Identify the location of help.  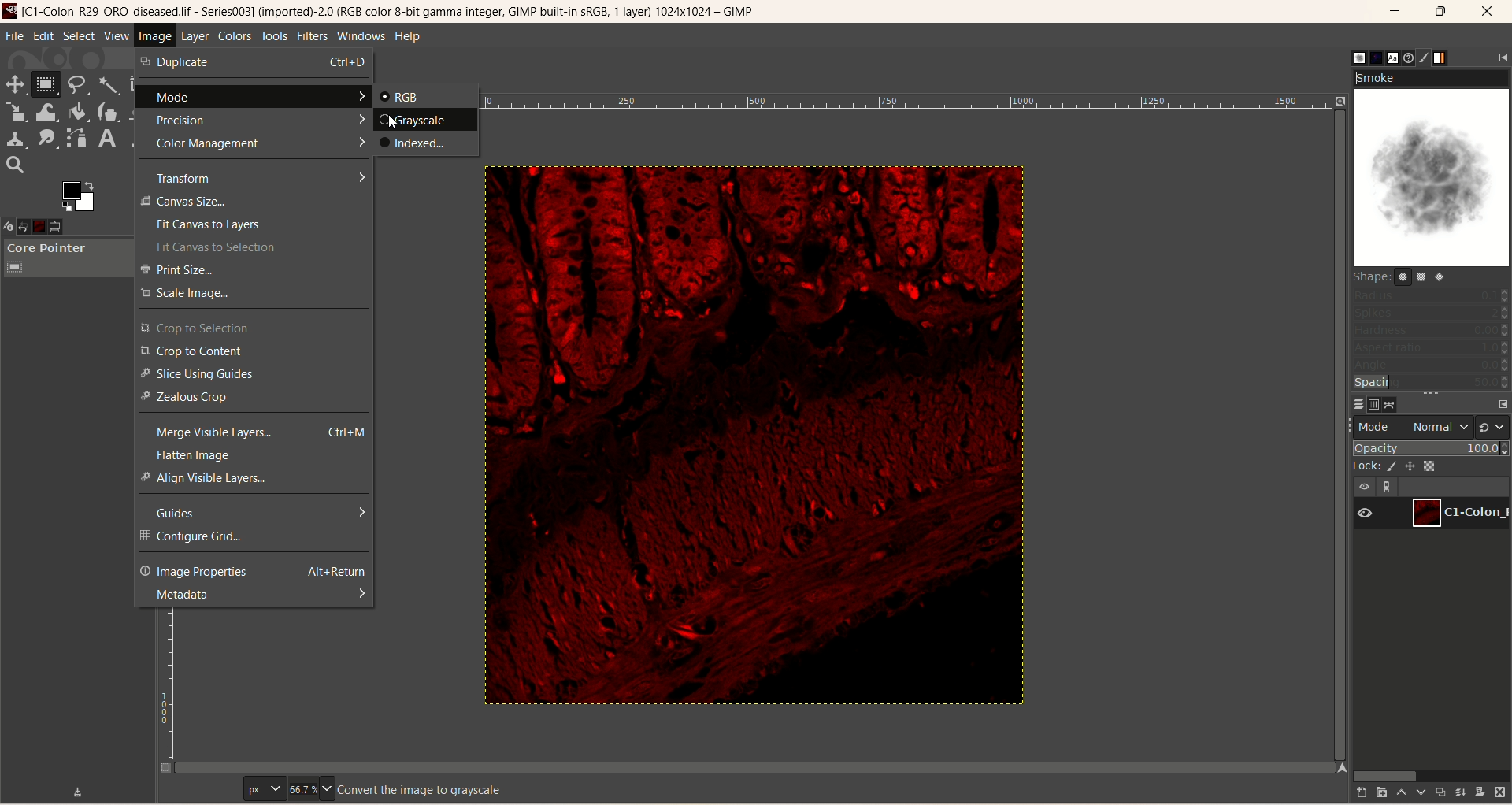
(410, 36).